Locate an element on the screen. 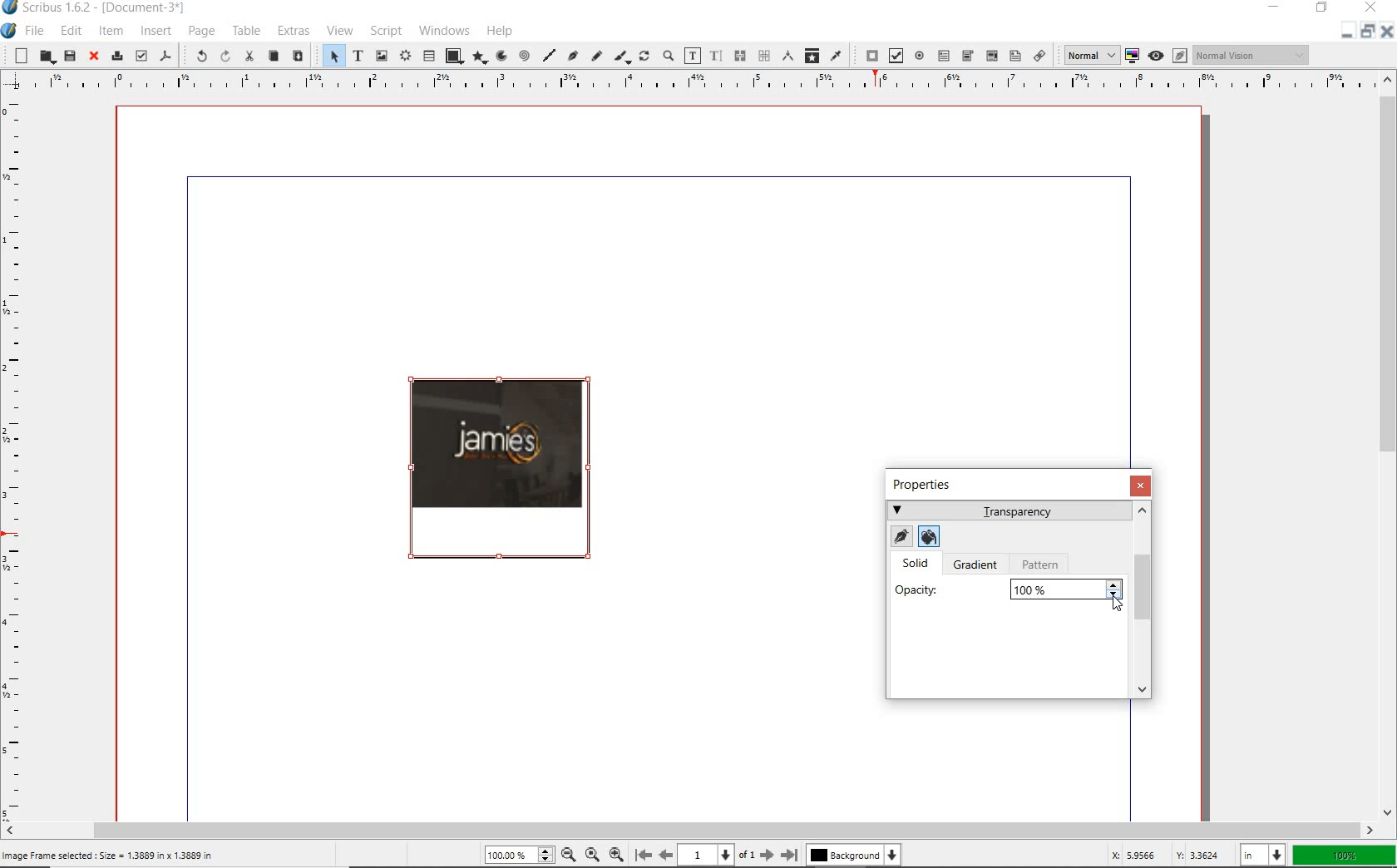 Image resolution: width=1397 pixels, height=868 pixels. coordinates is located at coordinates (1155, 856).